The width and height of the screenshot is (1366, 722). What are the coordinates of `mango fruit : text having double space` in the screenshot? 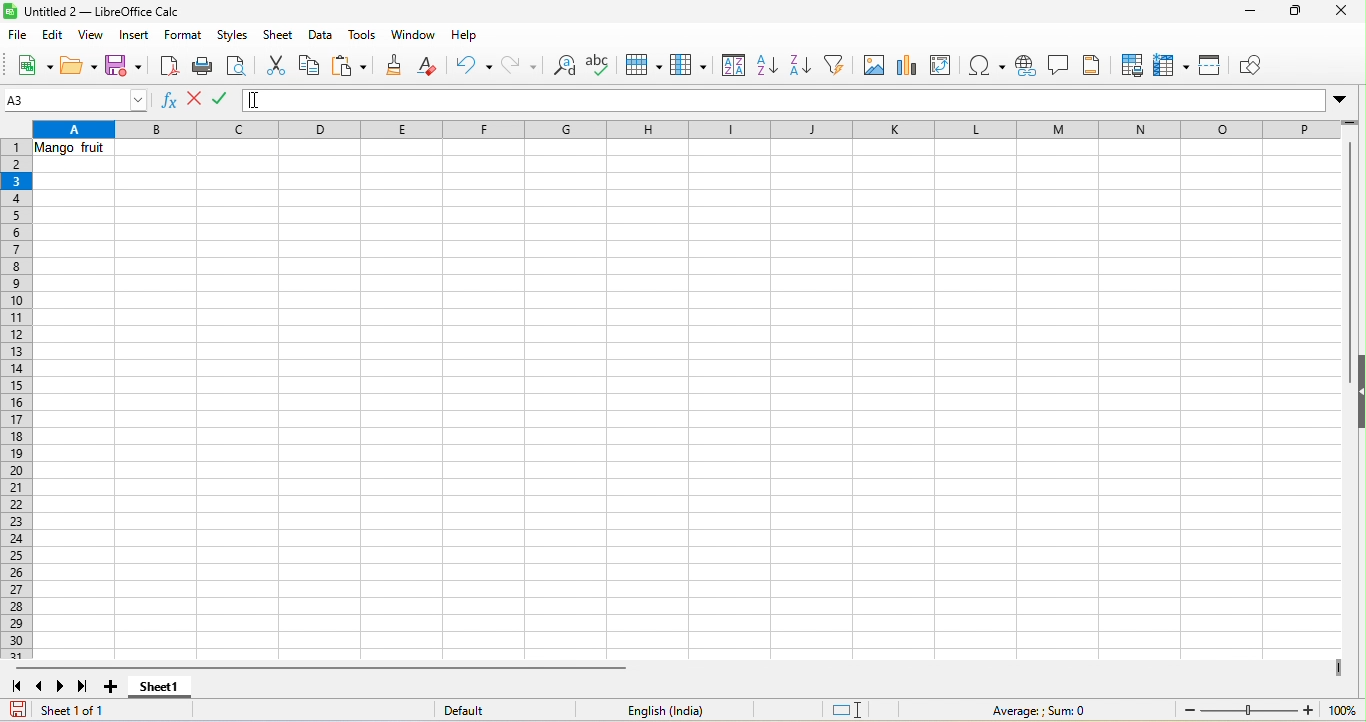 It's located at (77, 151).